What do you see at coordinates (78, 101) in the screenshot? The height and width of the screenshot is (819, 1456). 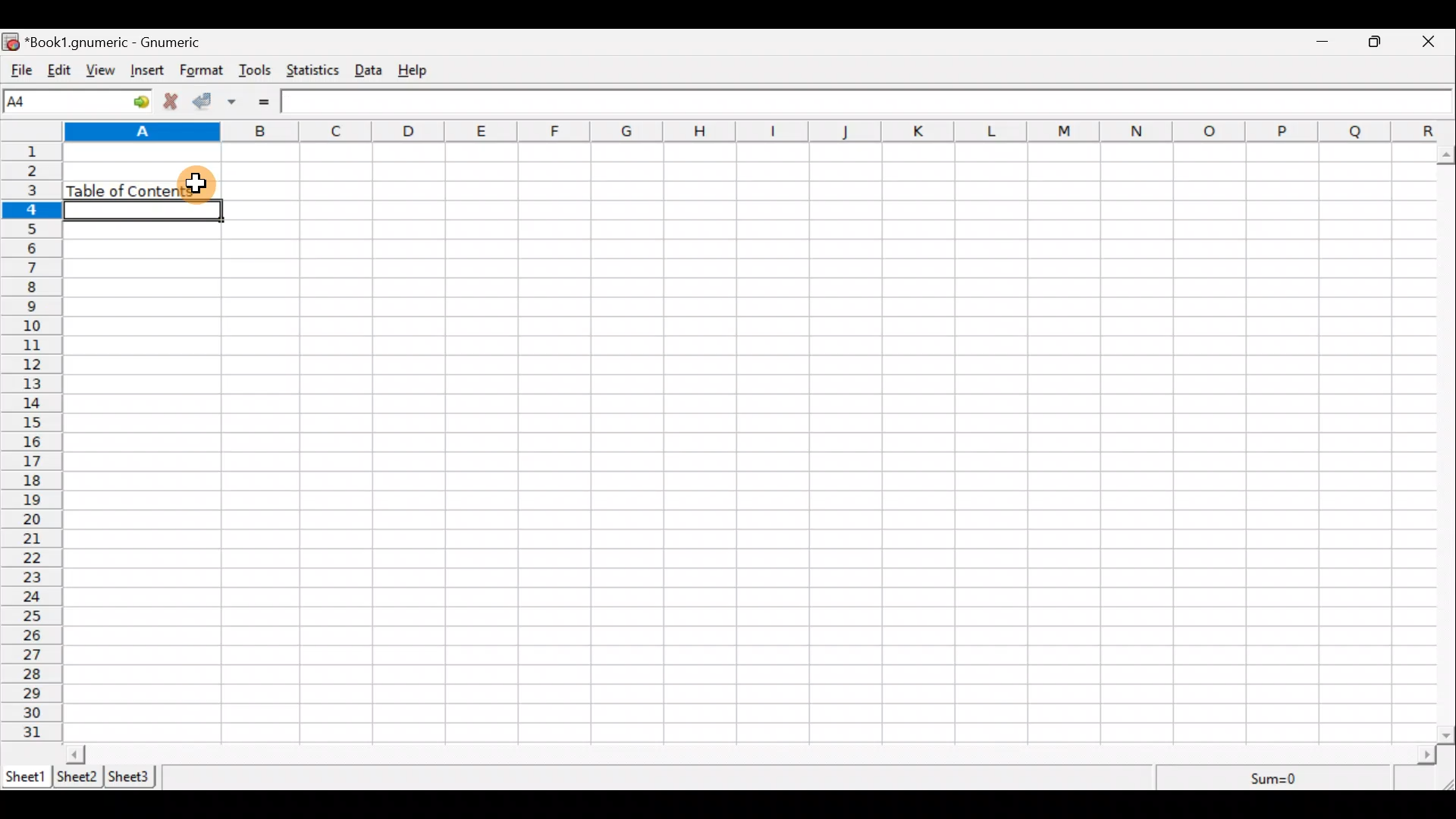 I see `Cell name` at bounding box center [78, 101].